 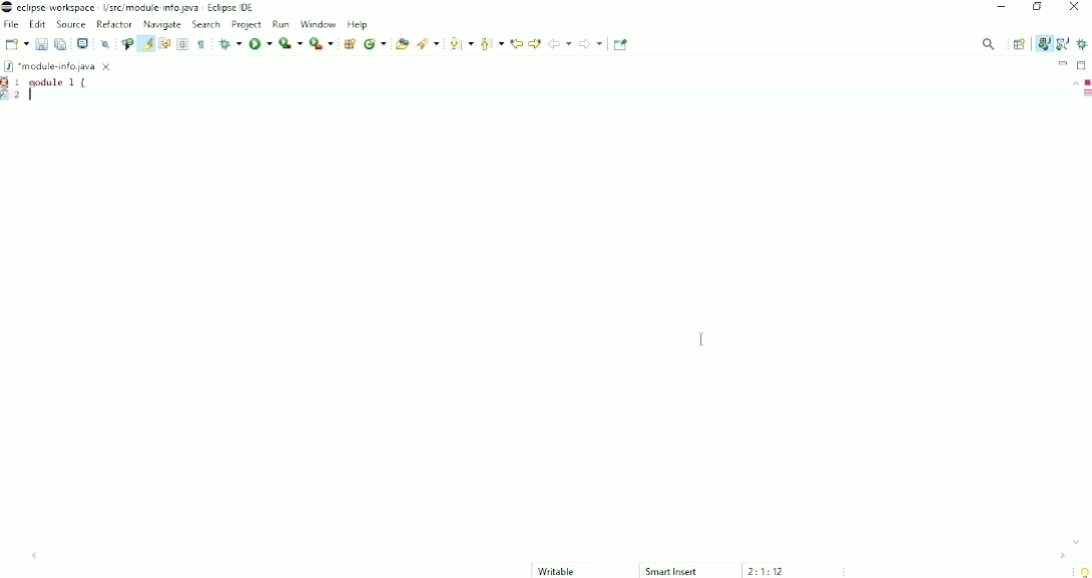 I want to click on Run, so click(x=260, y=43).